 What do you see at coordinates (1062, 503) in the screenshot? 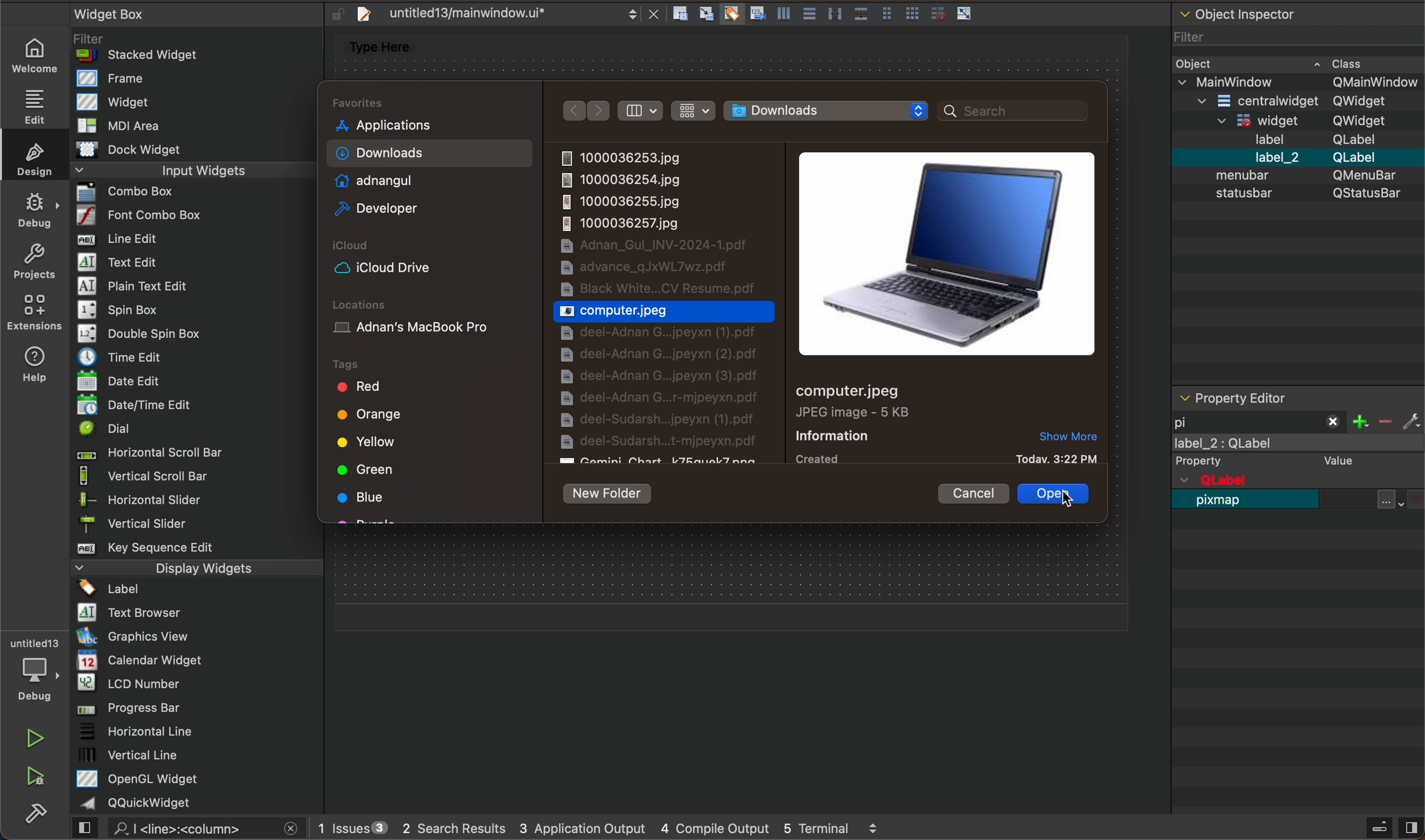
I see `cursor` at bounding box center [1062, 503].